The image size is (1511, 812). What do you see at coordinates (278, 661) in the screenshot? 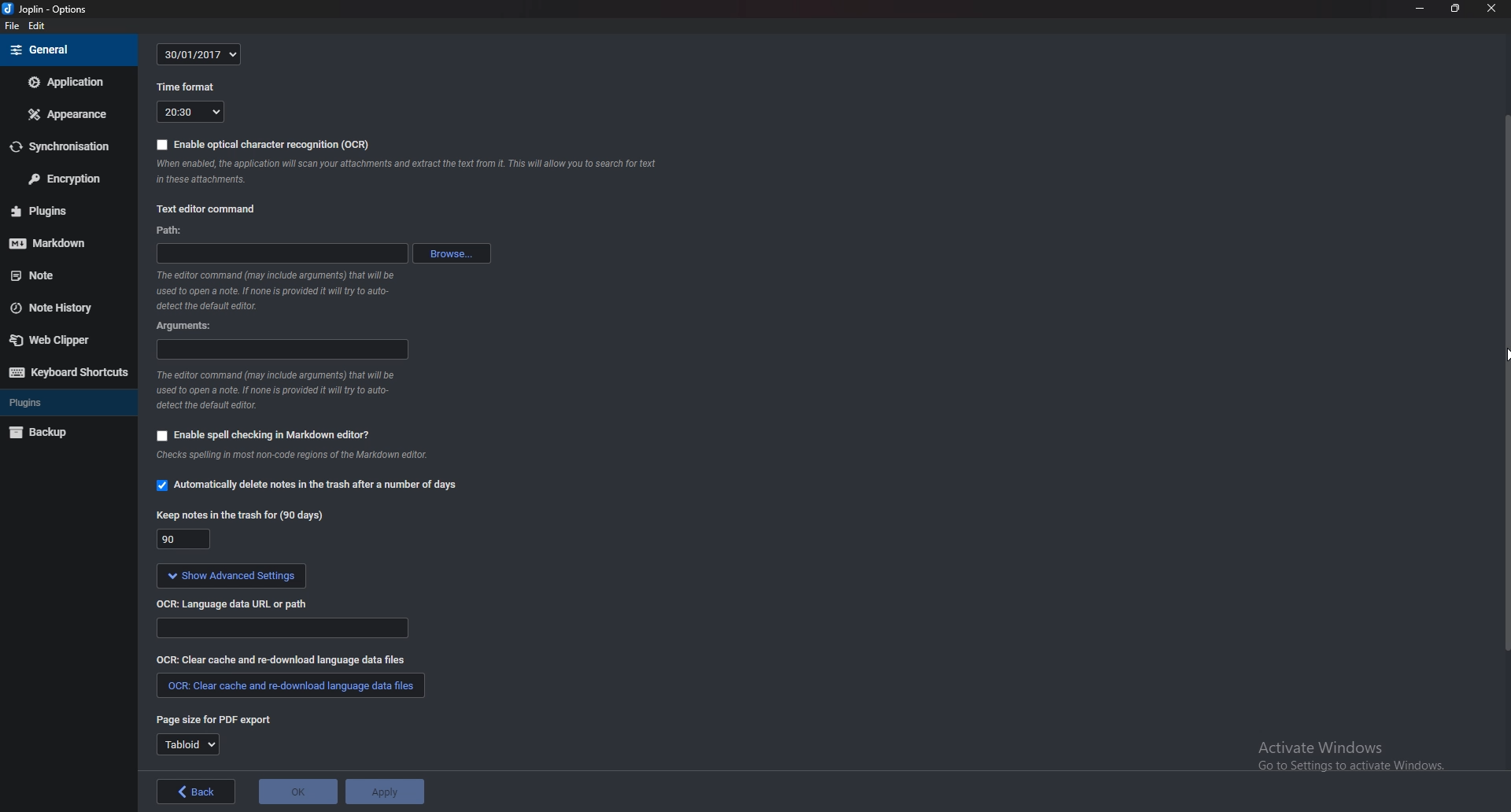
I see `Clear cache and redownload language data` at bounding box center [278, 661].